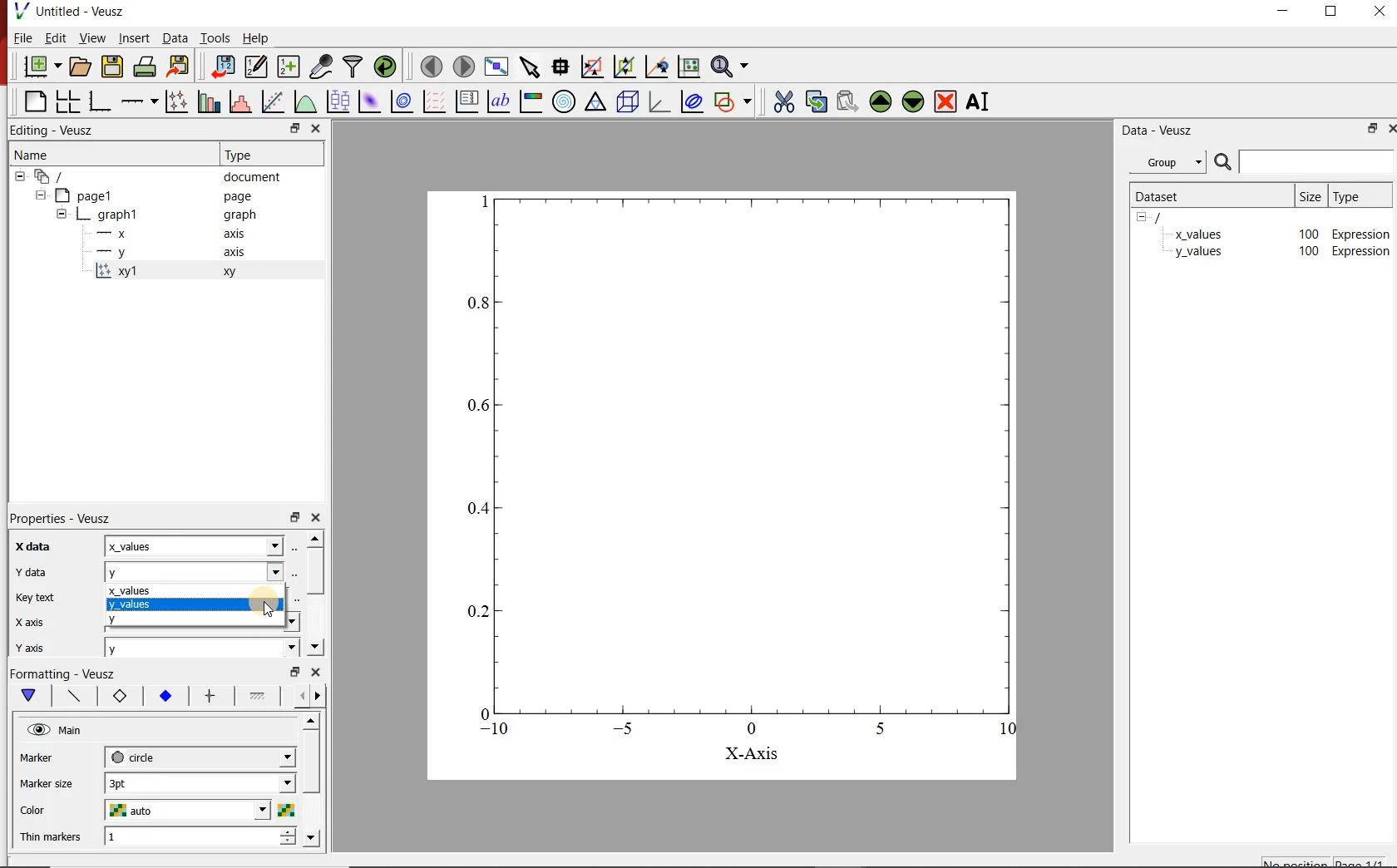 This screenshot has height=868, width=1397. I want to click on error bar line, so click(214, 697).